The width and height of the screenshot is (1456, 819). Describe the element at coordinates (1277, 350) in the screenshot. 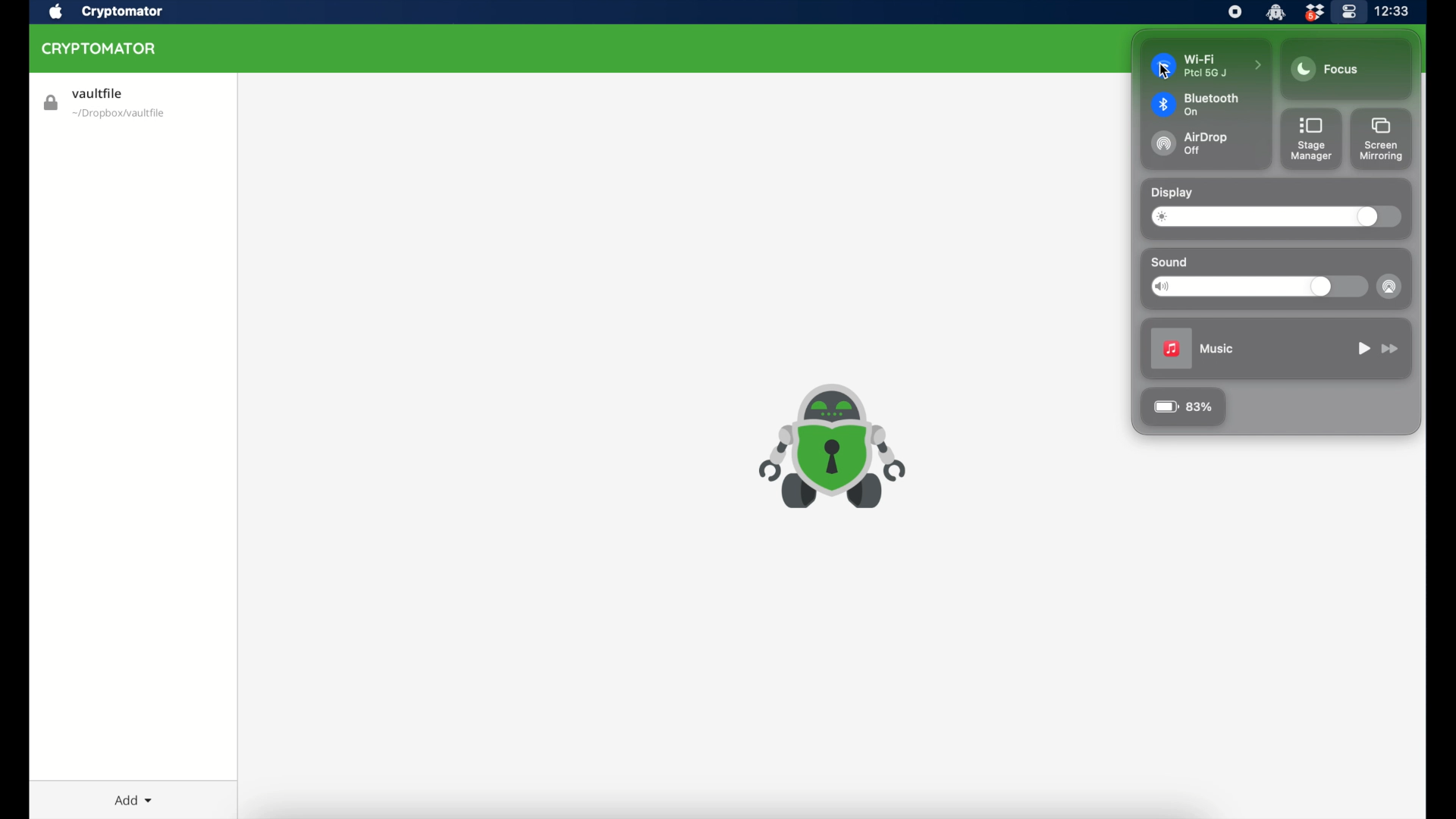

I see `music` at that location.